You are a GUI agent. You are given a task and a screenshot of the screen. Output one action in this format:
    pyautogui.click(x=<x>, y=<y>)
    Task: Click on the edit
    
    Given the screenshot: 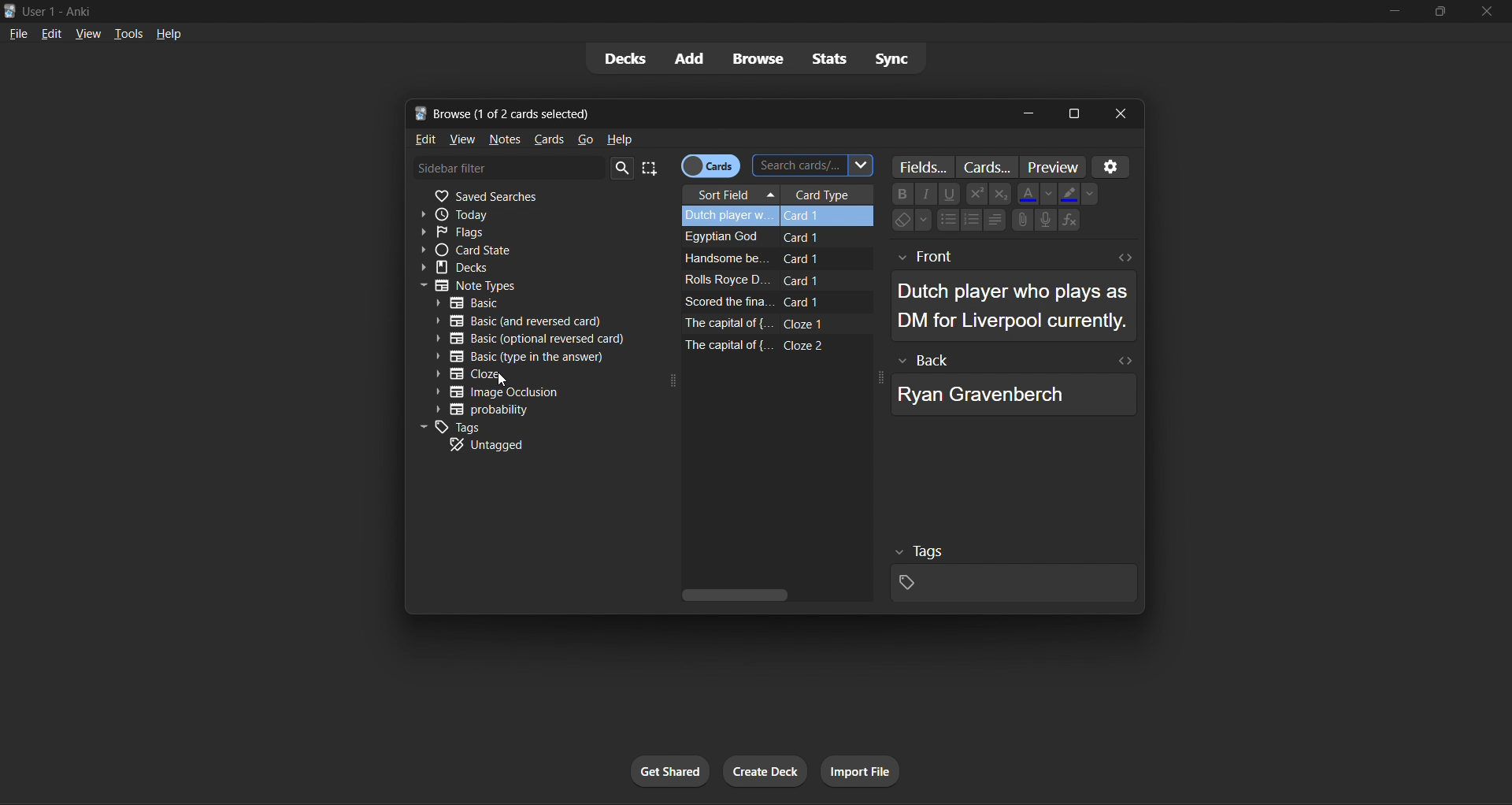 What is the action you would take?
    pyautogui.click(x=422, y=140)
    